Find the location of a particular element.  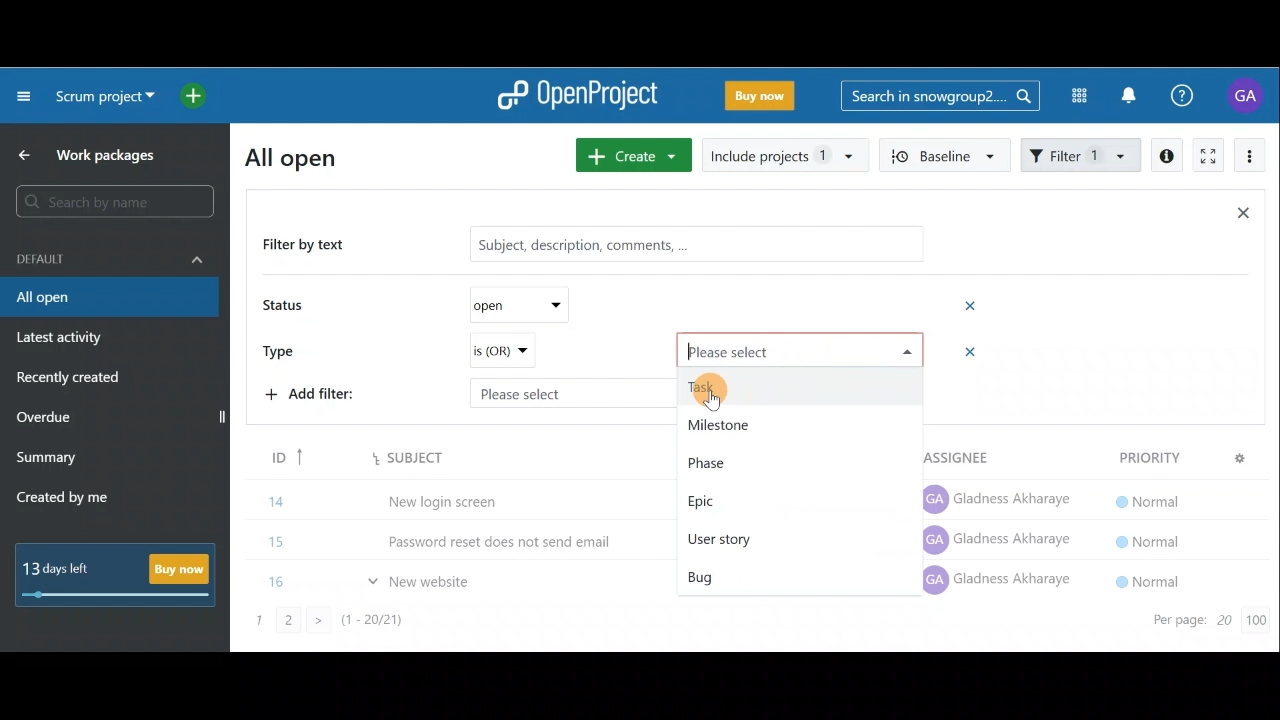

Item 15 is located at coordinates (465, 536).